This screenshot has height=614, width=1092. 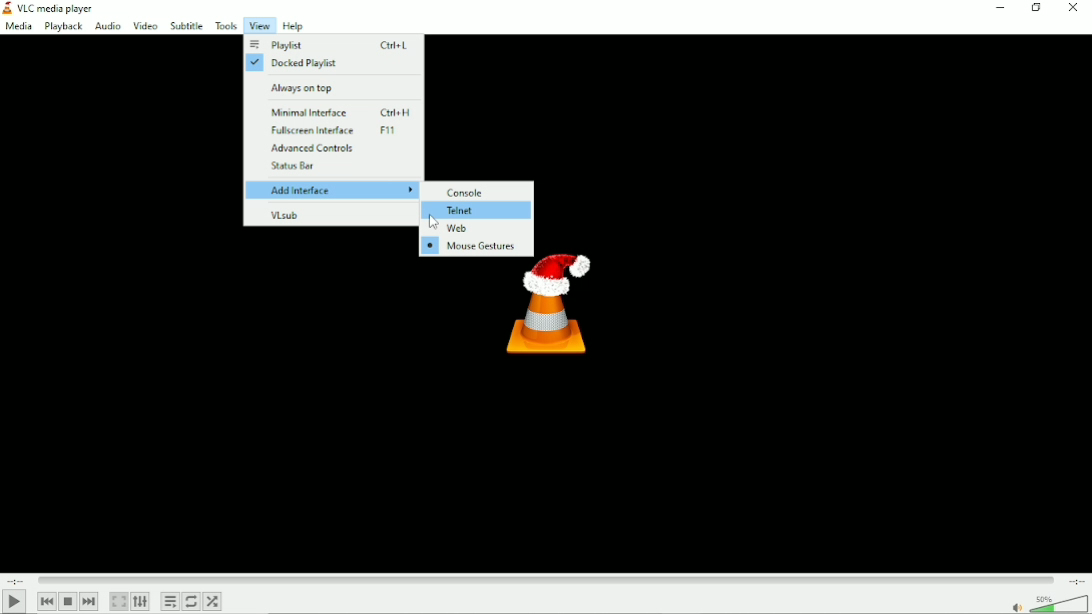 I want to click on Audio, so click(x=107, y=27).